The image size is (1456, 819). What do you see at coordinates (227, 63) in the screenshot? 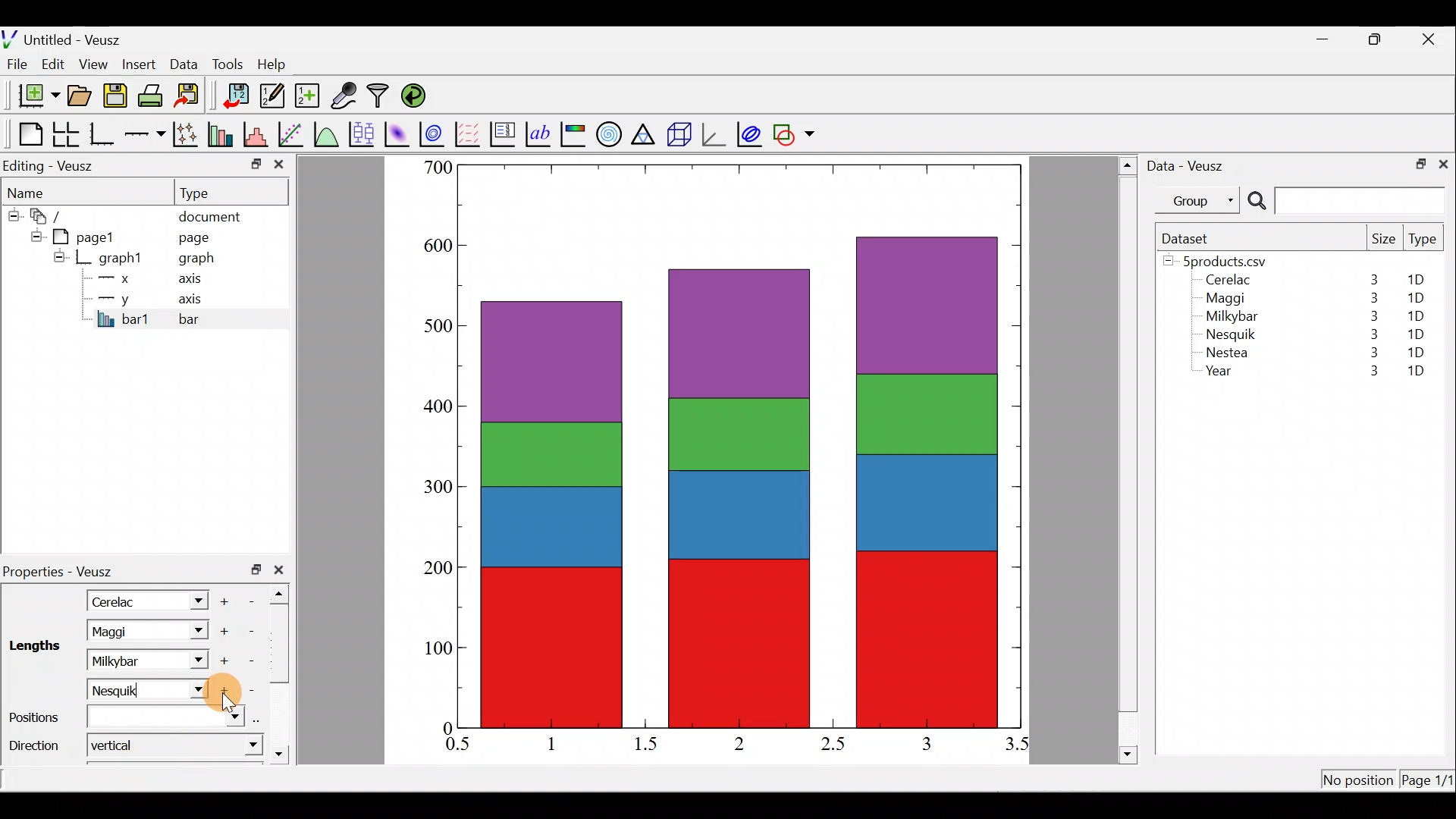
I see `Tools` at bounding box center [227, 63].